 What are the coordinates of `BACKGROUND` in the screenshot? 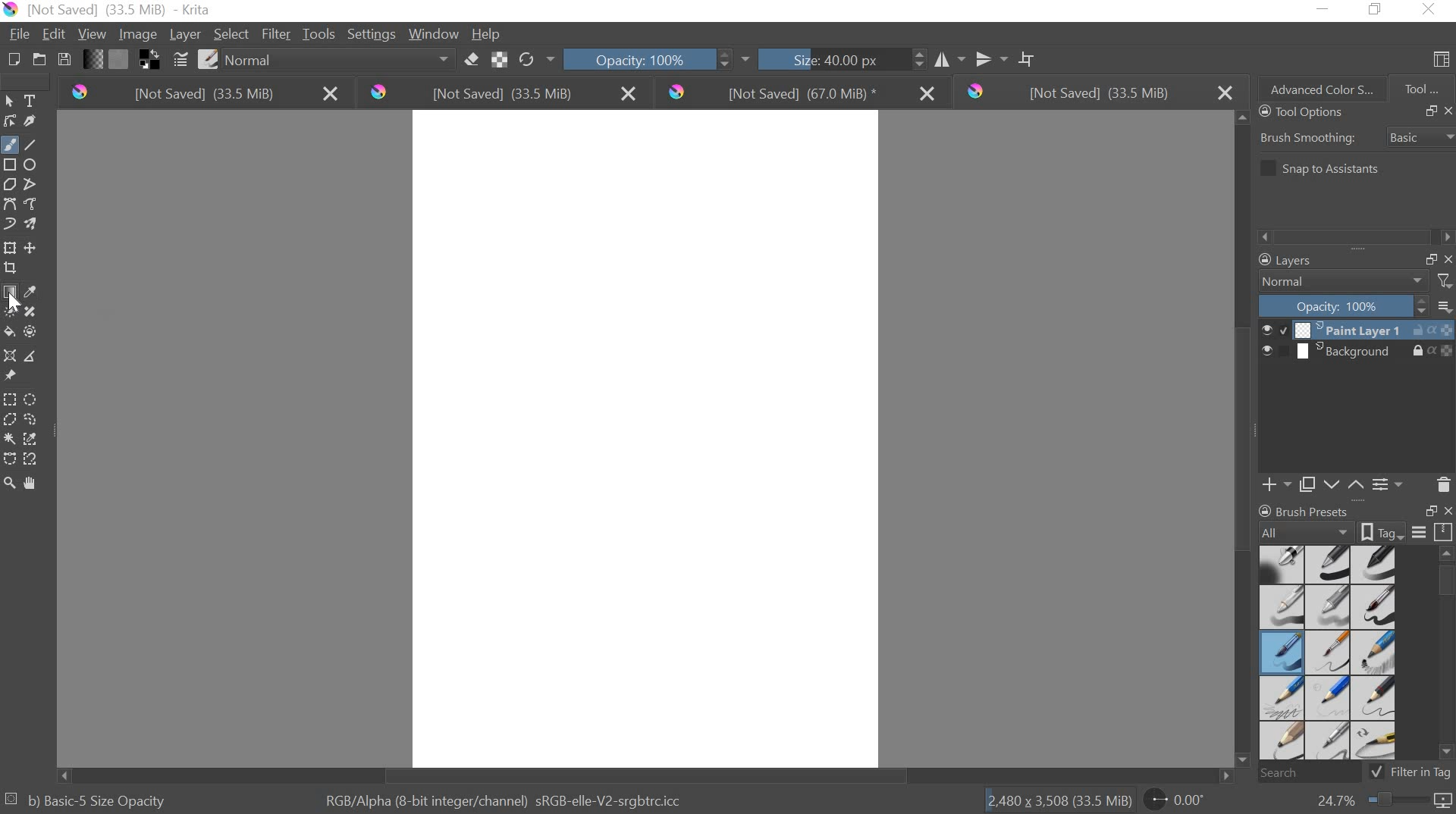 It's located at (1357, 353).